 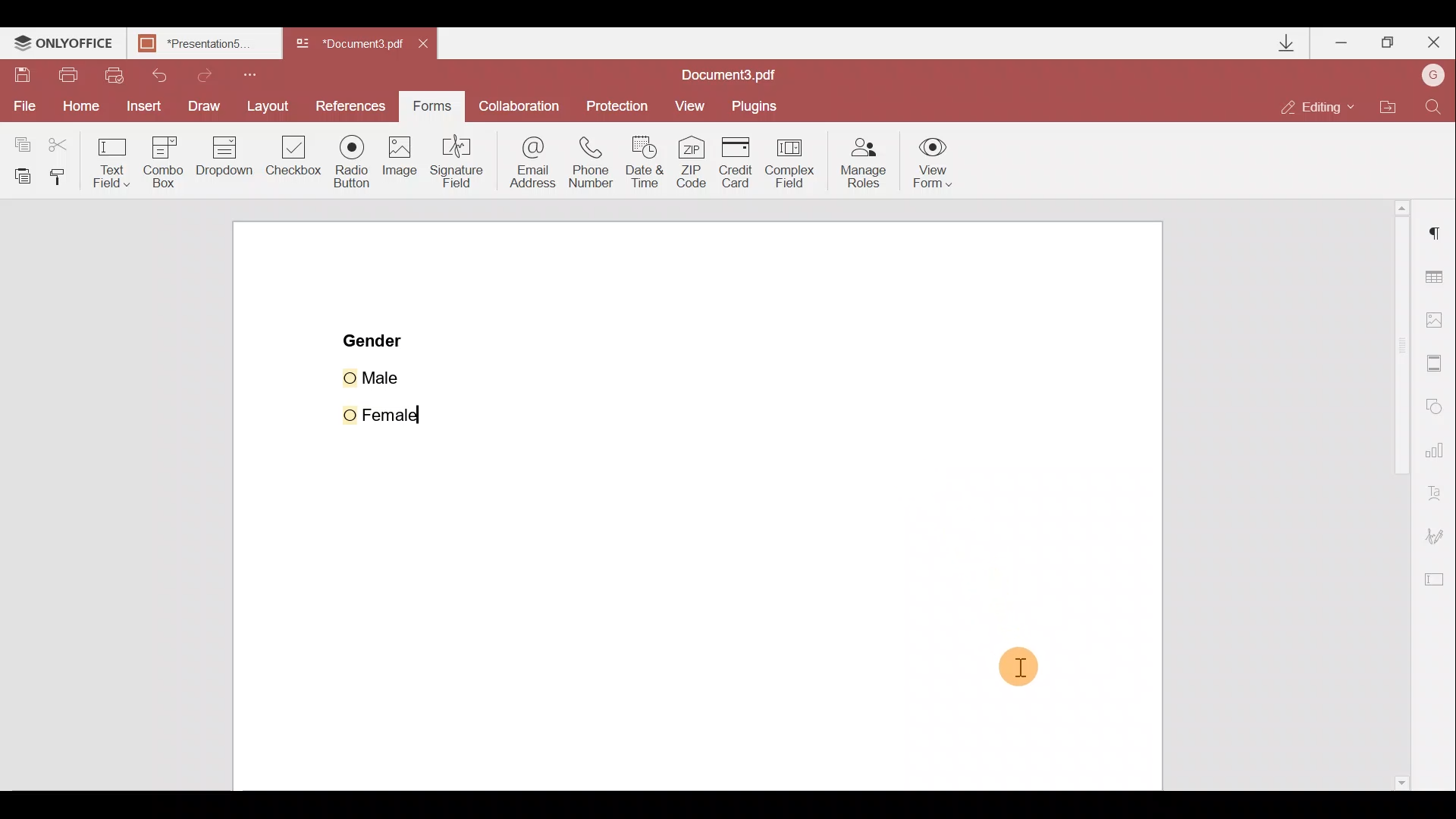 I want to click on Date & time, so click(x=650, y=164).